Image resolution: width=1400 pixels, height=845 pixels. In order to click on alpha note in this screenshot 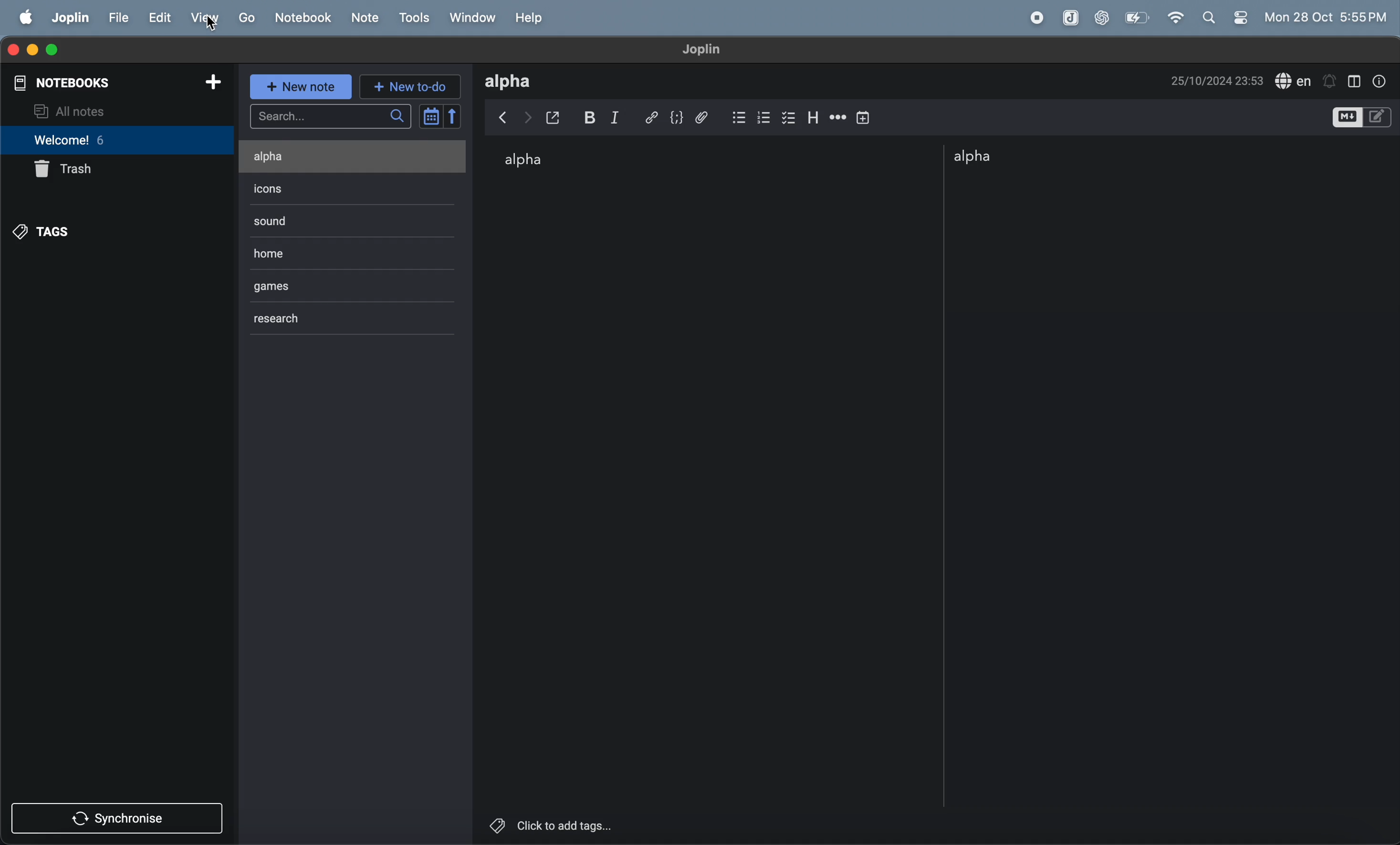, I will do `click(534, 162)`.